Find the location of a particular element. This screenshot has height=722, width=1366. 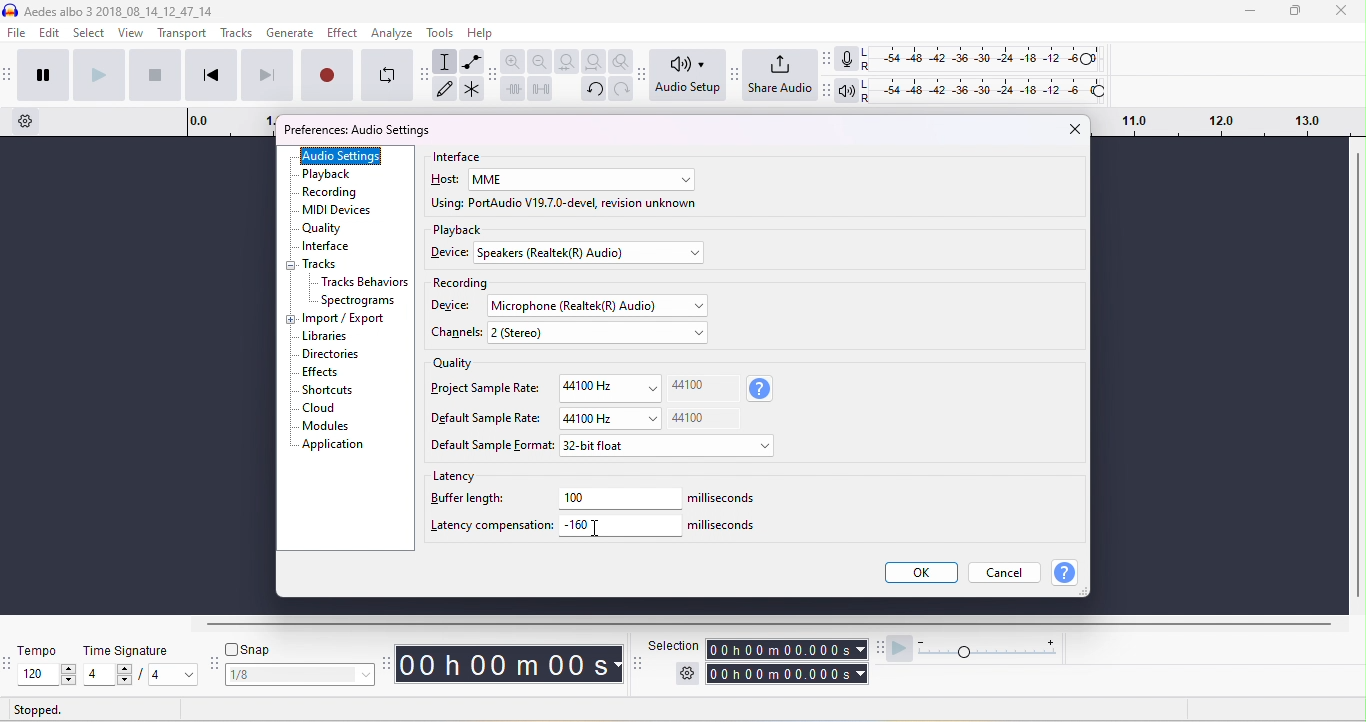

select time parameter is located at coordinates (860, 649).